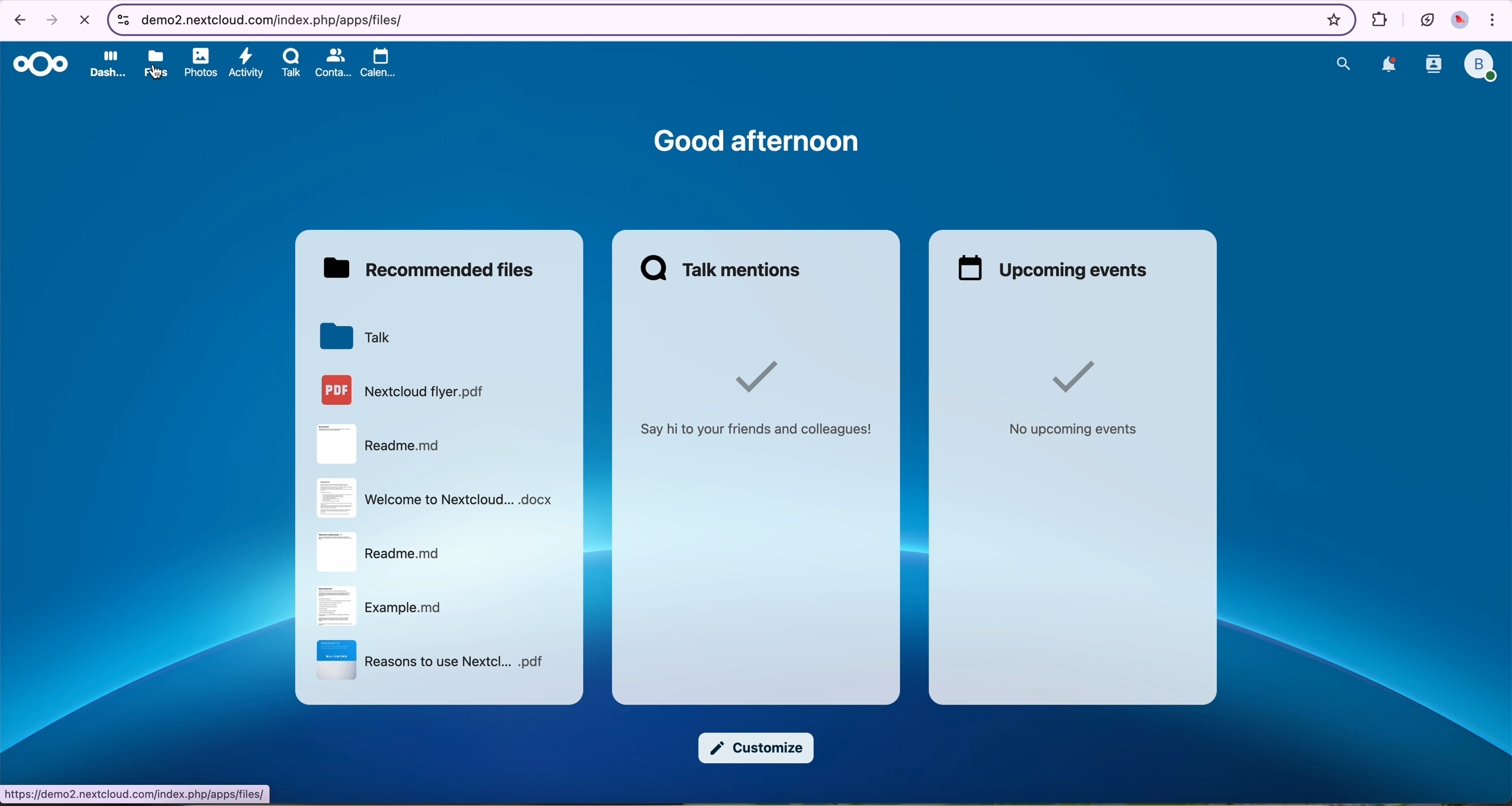  Describe the element at coordinates (107, 63) in the screenshot. I see `dashboard` at that location.